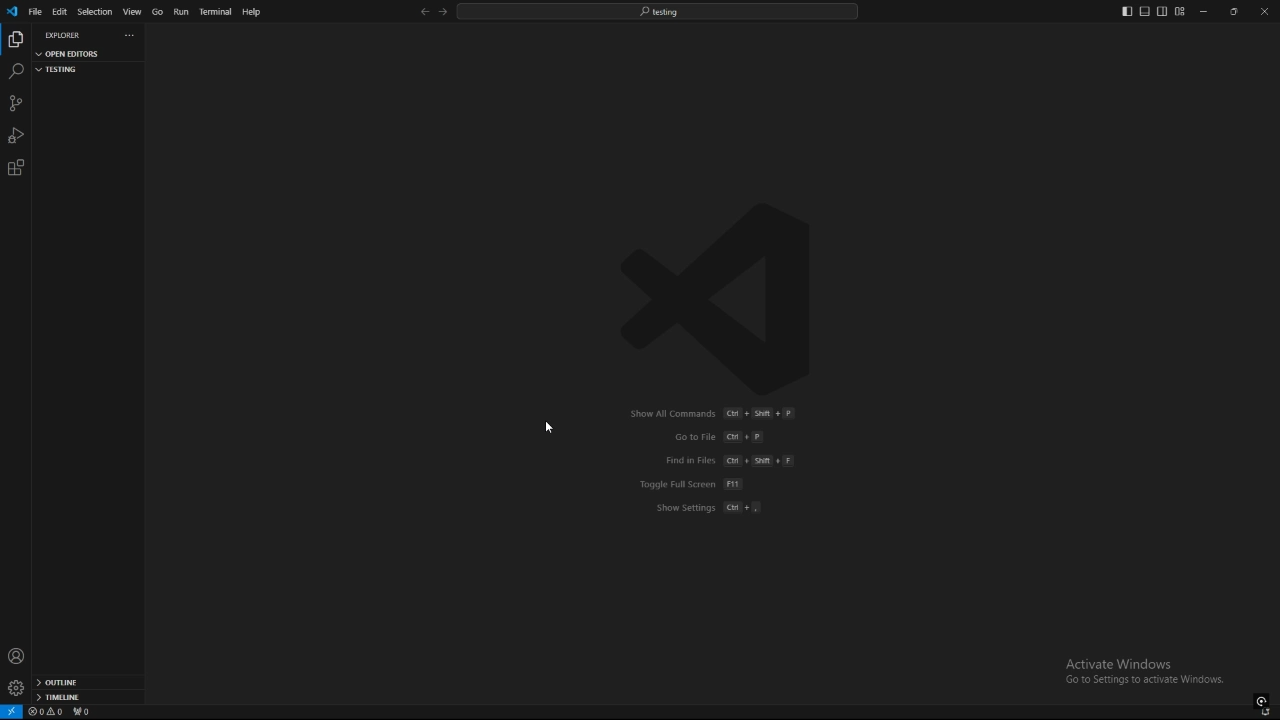 Image resolution: width=1280 pixels, height=720 pixels. Describe the element at coordinates (1262, 10) in the screenshot. I see `close` at that location.